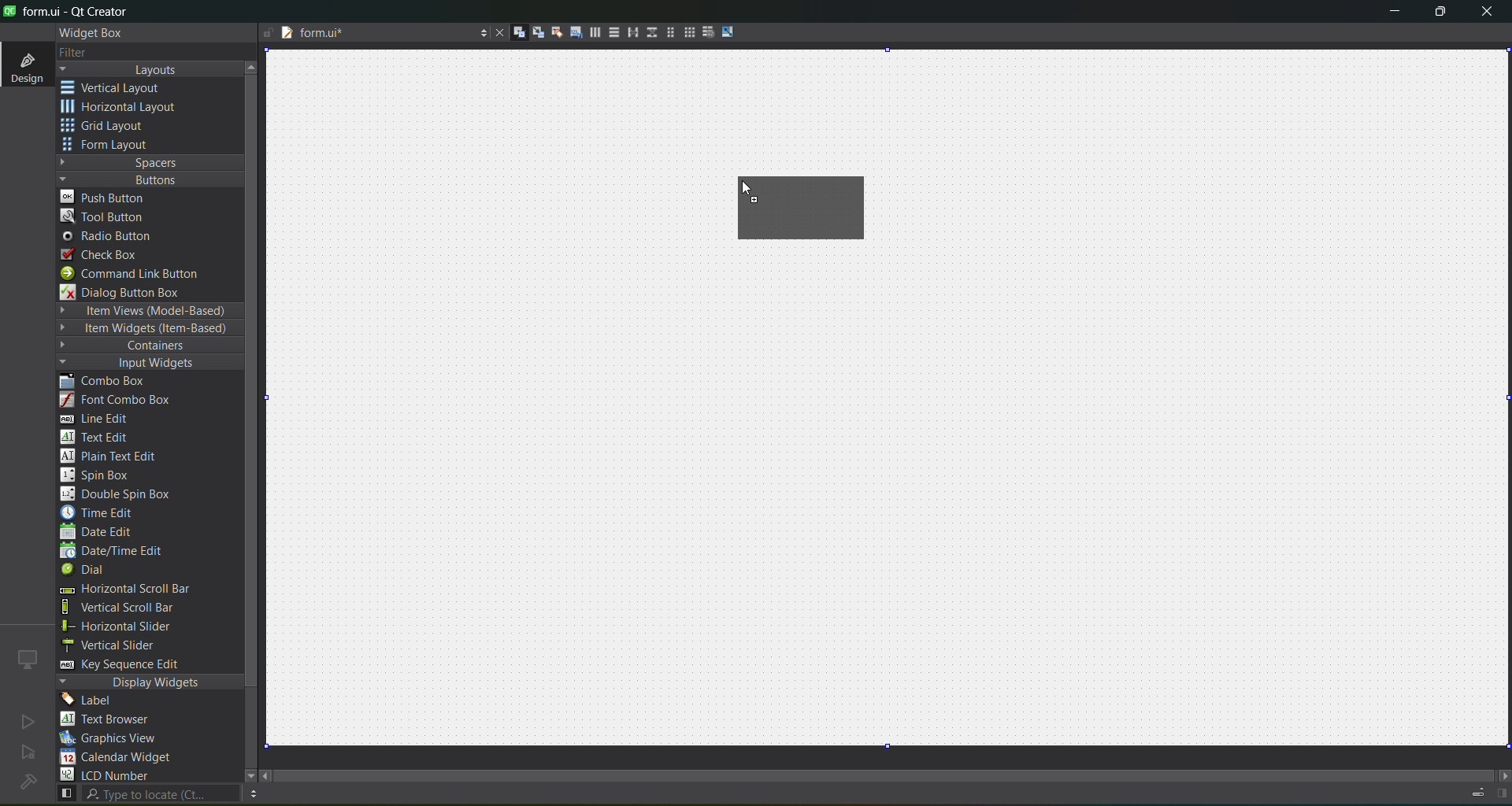 This screenshot has height=806, width=1512. Describe the element at coordinates (140, 275) in the screenshot. I see `command` at that location.